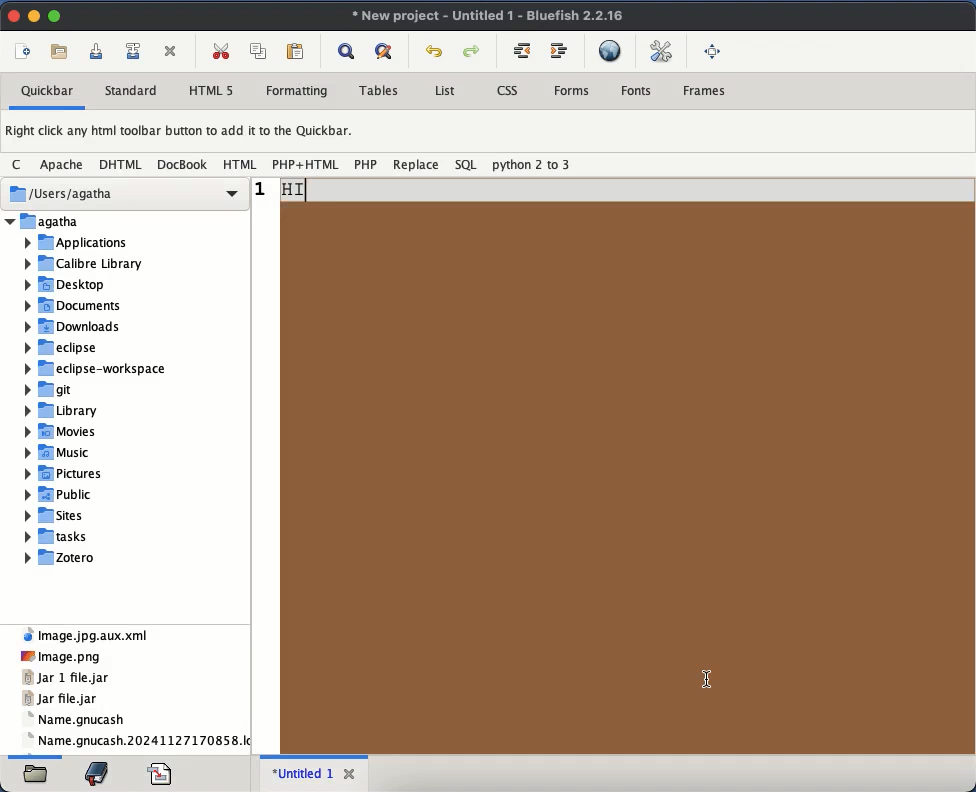 This screenshot has height=792, width=976. Describe the element at coordinates (15, 15) in the screenshot. I see `close` at that location.